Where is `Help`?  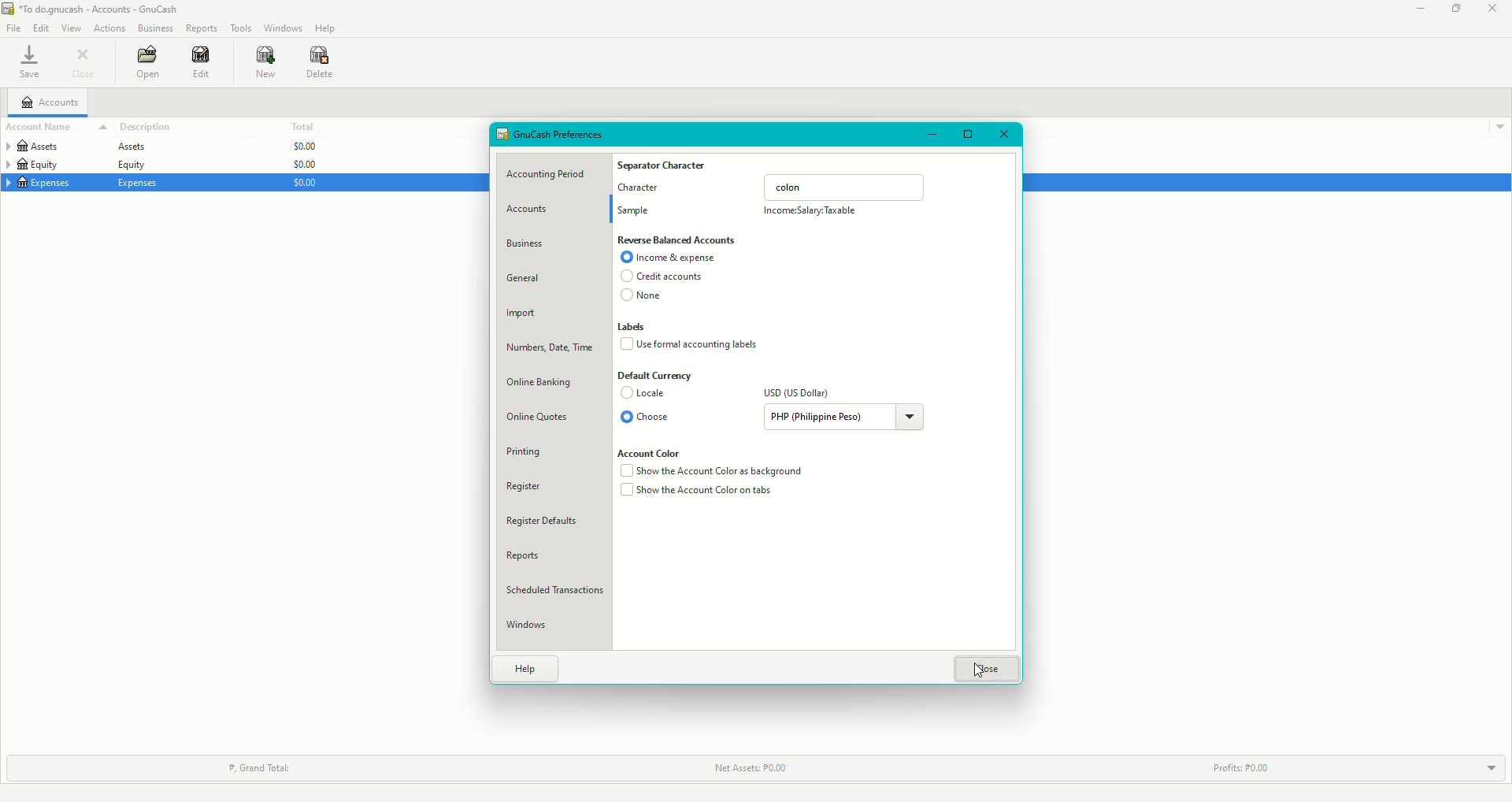
Help is located at coordinates (527, 667).